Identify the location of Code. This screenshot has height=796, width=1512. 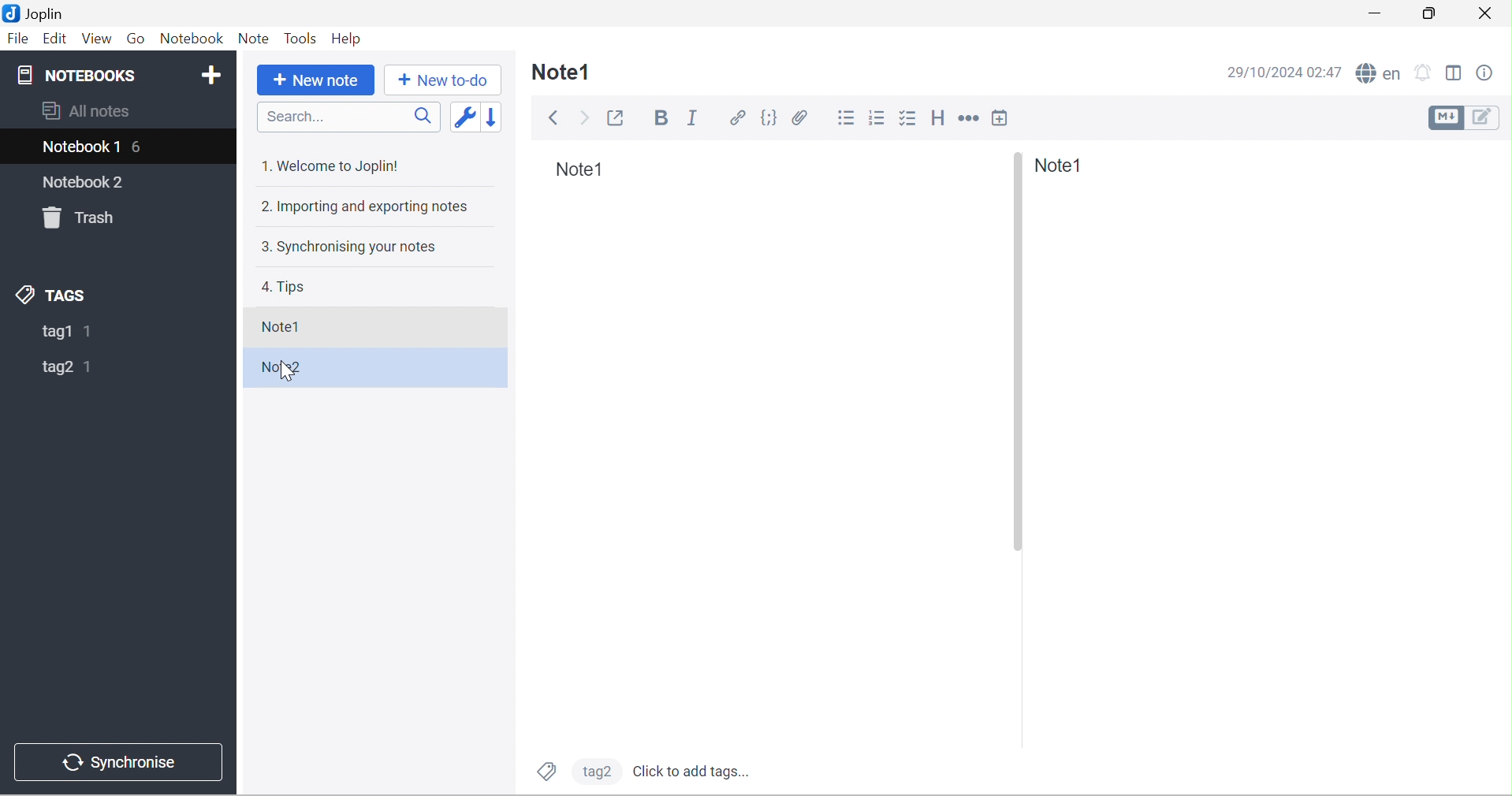
(769, 117).